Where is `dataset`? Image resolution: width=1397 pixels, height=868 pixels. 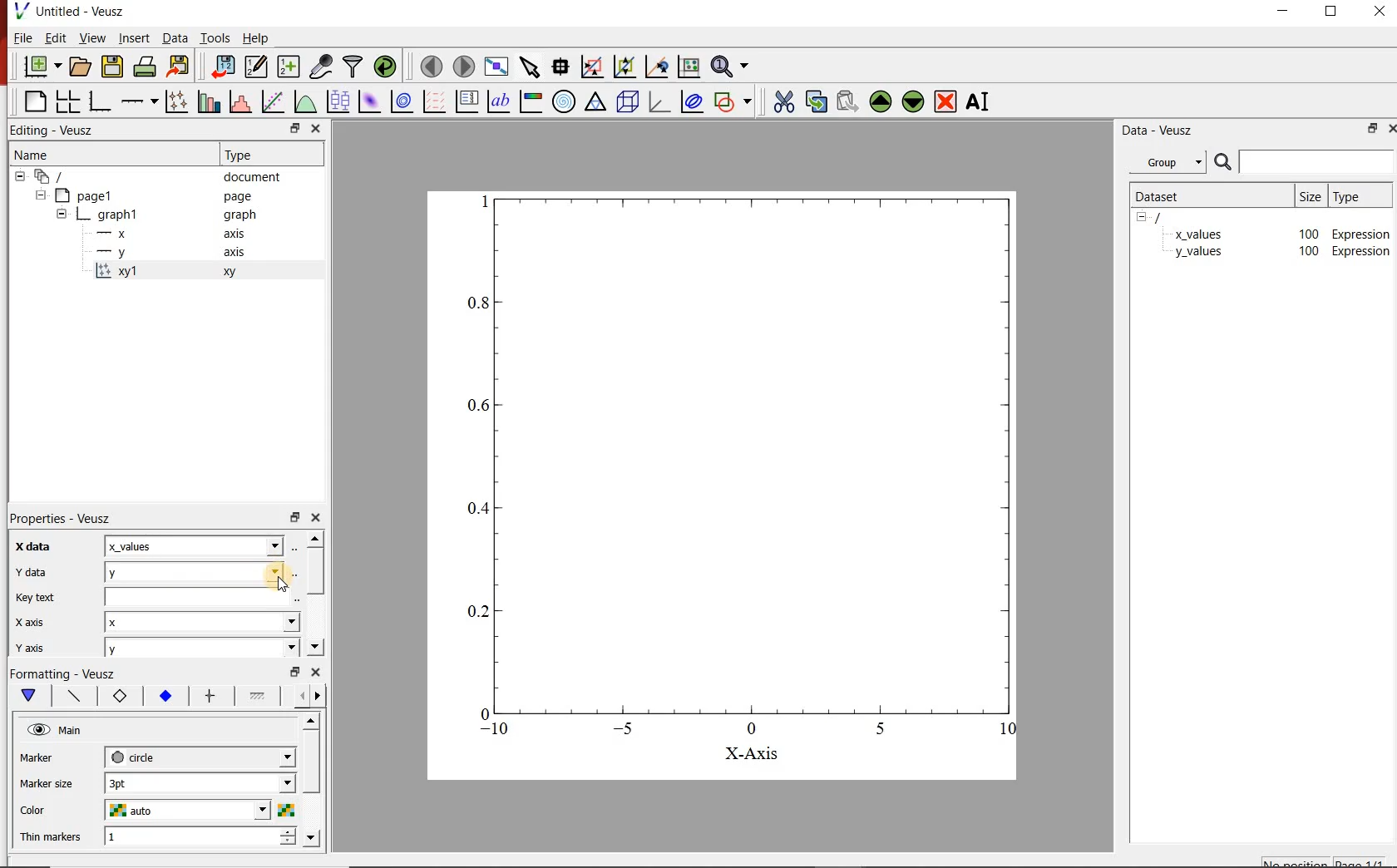 dataset is located at coordinates (1170, 196).